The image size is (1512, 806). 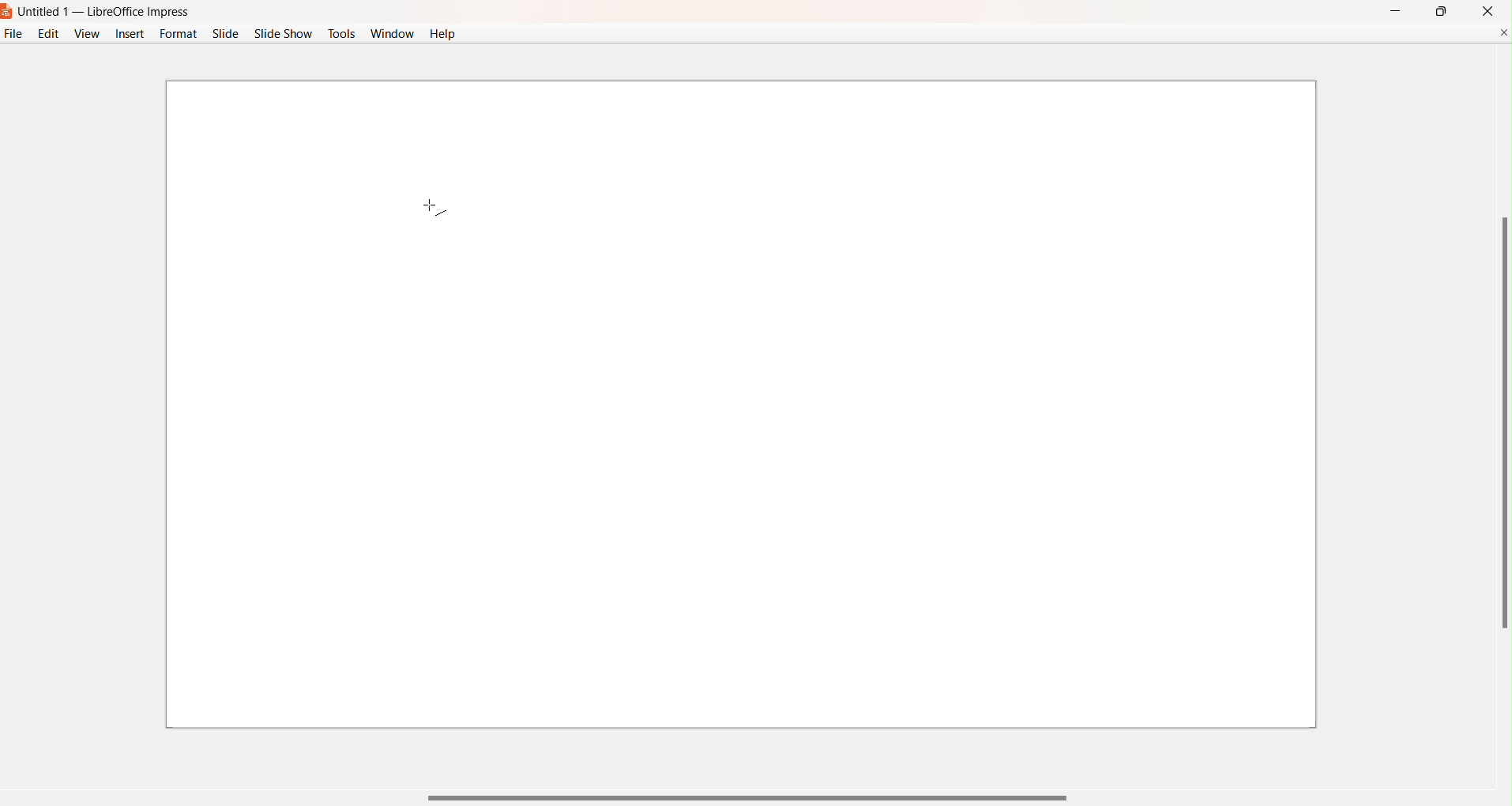 What do you see at coordinates (424, 205) in the screenshot?
I see `Line Drawer (Cursor)` at bounding box center [424, 205].